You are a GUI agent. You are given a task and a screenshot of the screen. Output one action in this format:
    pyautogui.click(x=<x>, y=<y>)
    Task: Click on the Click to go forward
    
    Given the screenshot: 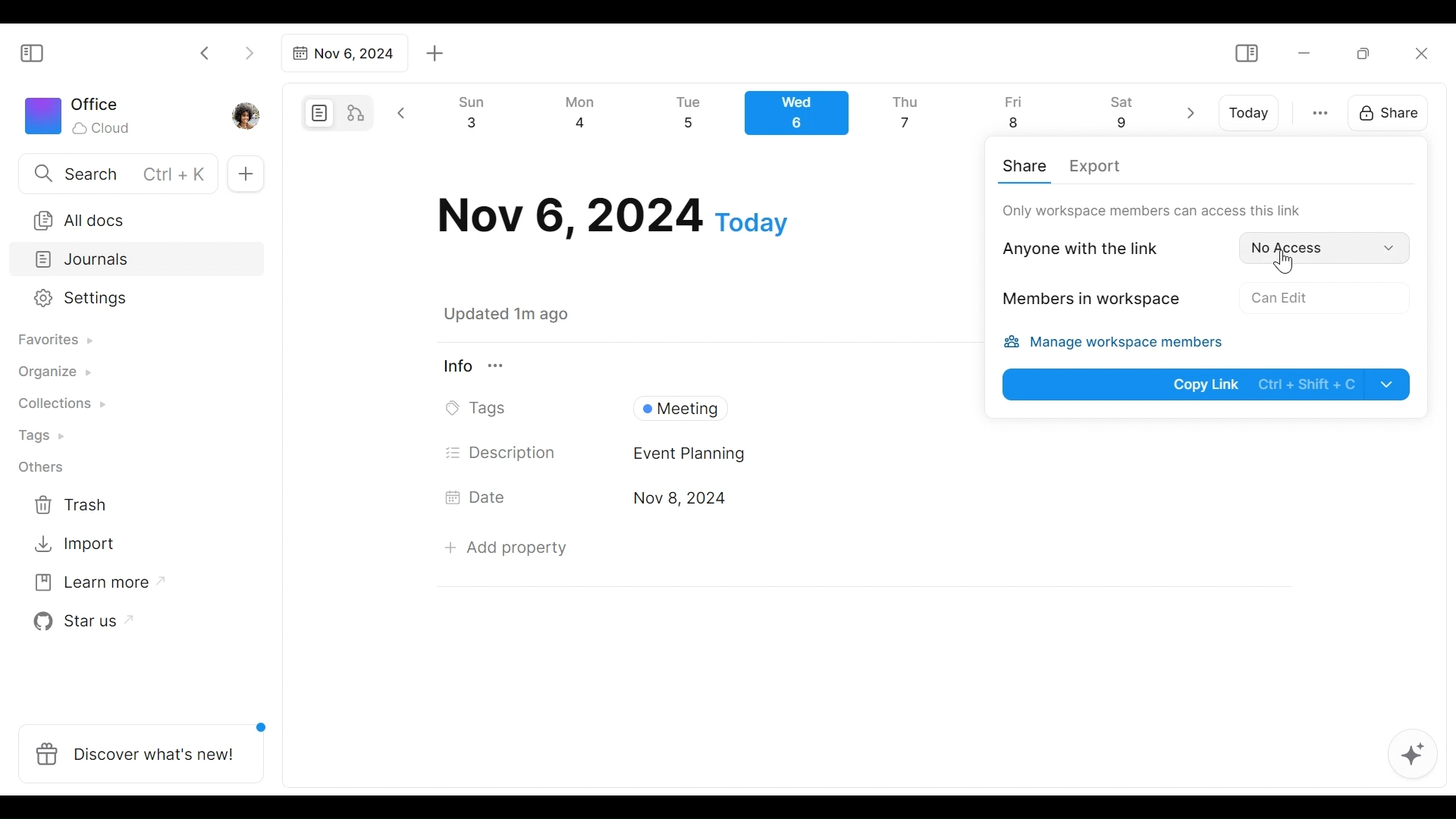 What is the action you would take?
    pyautogui.click(x=249, y=52)
    